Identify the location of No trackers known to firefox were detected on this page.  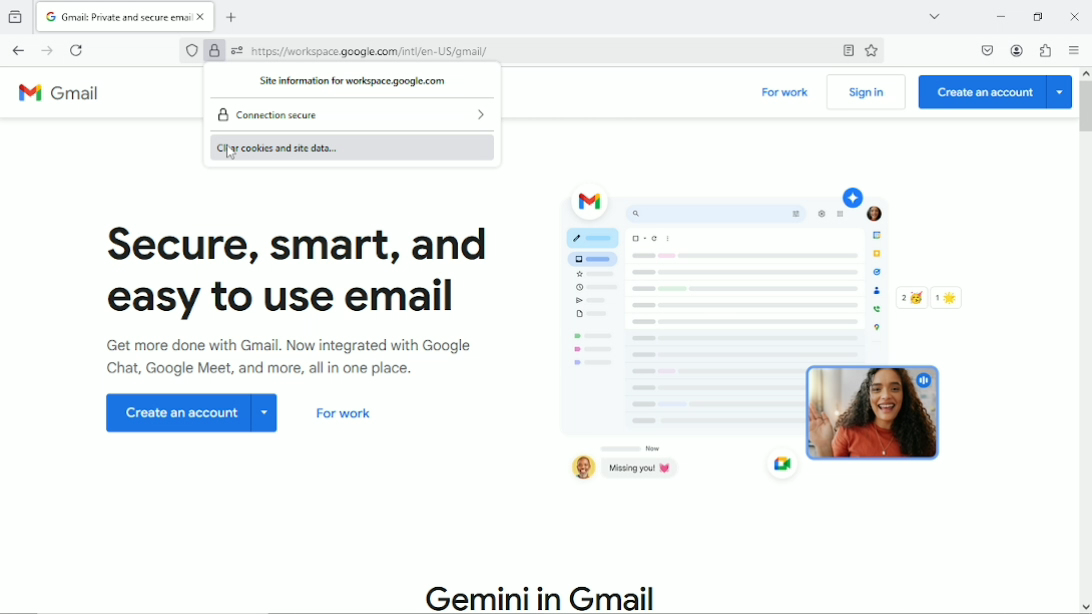
(190, 51).